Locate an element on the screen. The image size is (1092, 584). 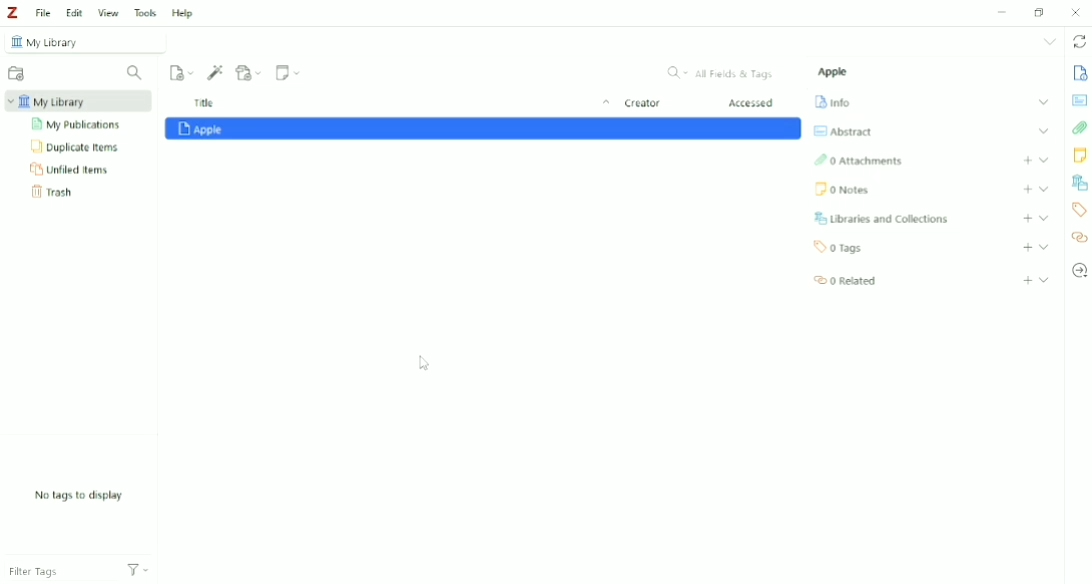
Unfiled Items is located at coordinates (70, 170).